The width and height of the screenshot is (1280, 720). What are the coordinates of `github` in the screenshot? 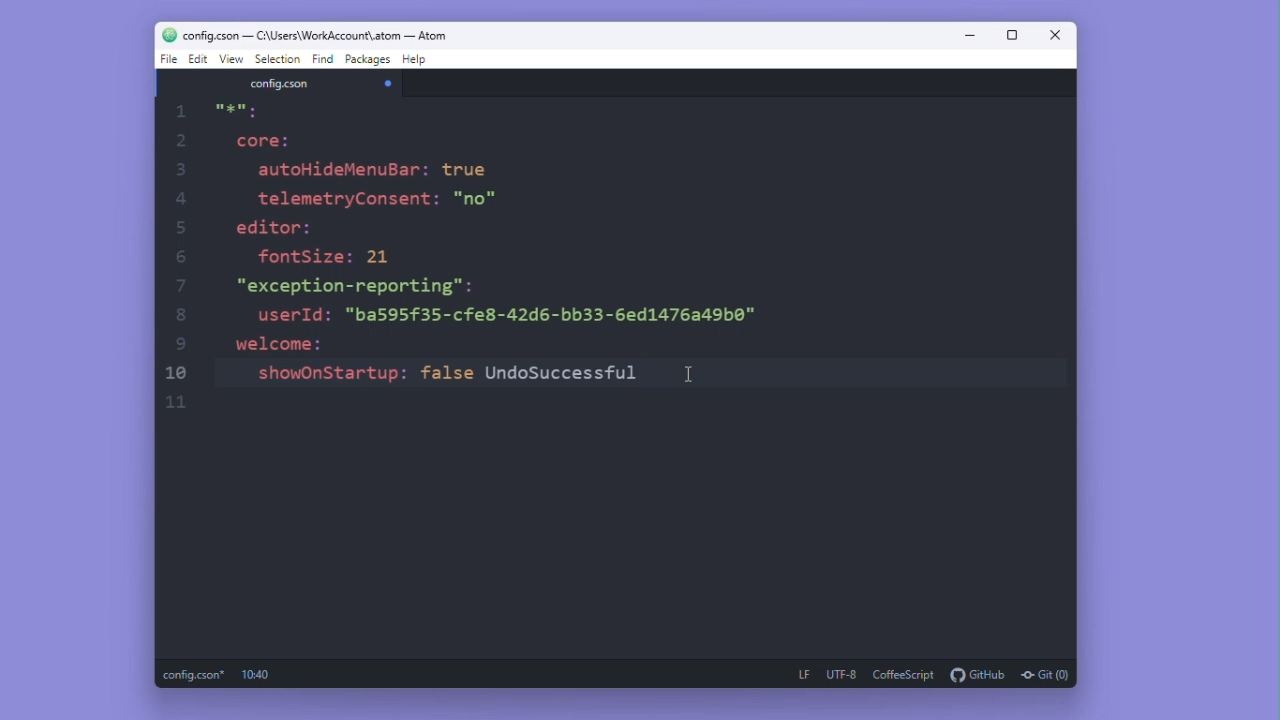 It's located at (979, 675).